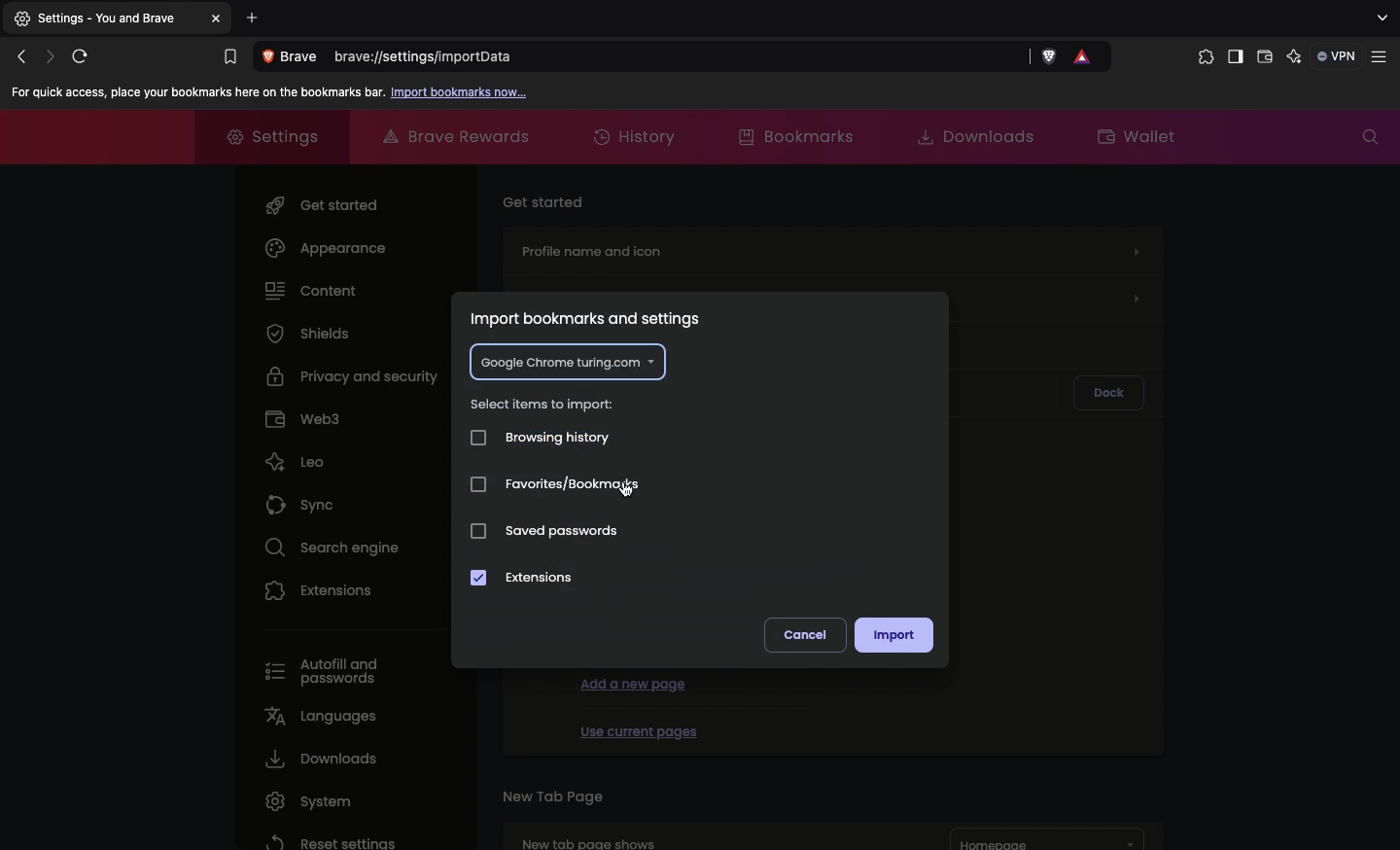 Image resolution: width=1400 pixels, height=850 pixels. What do you see at coordinates (326, 248) in the screenshot?
I see `Appearance` at bounding box center [326, 248].